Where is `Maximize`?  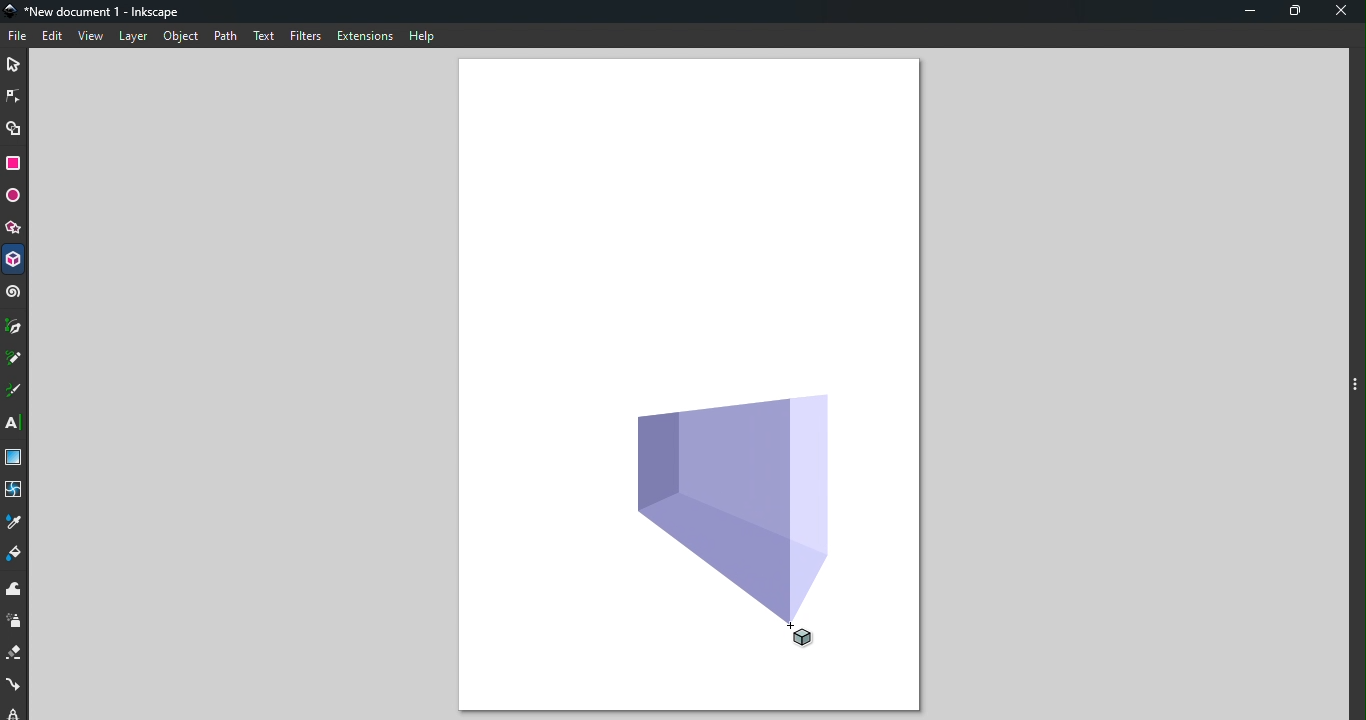 Maximize is located at coordinates (1295, 14).